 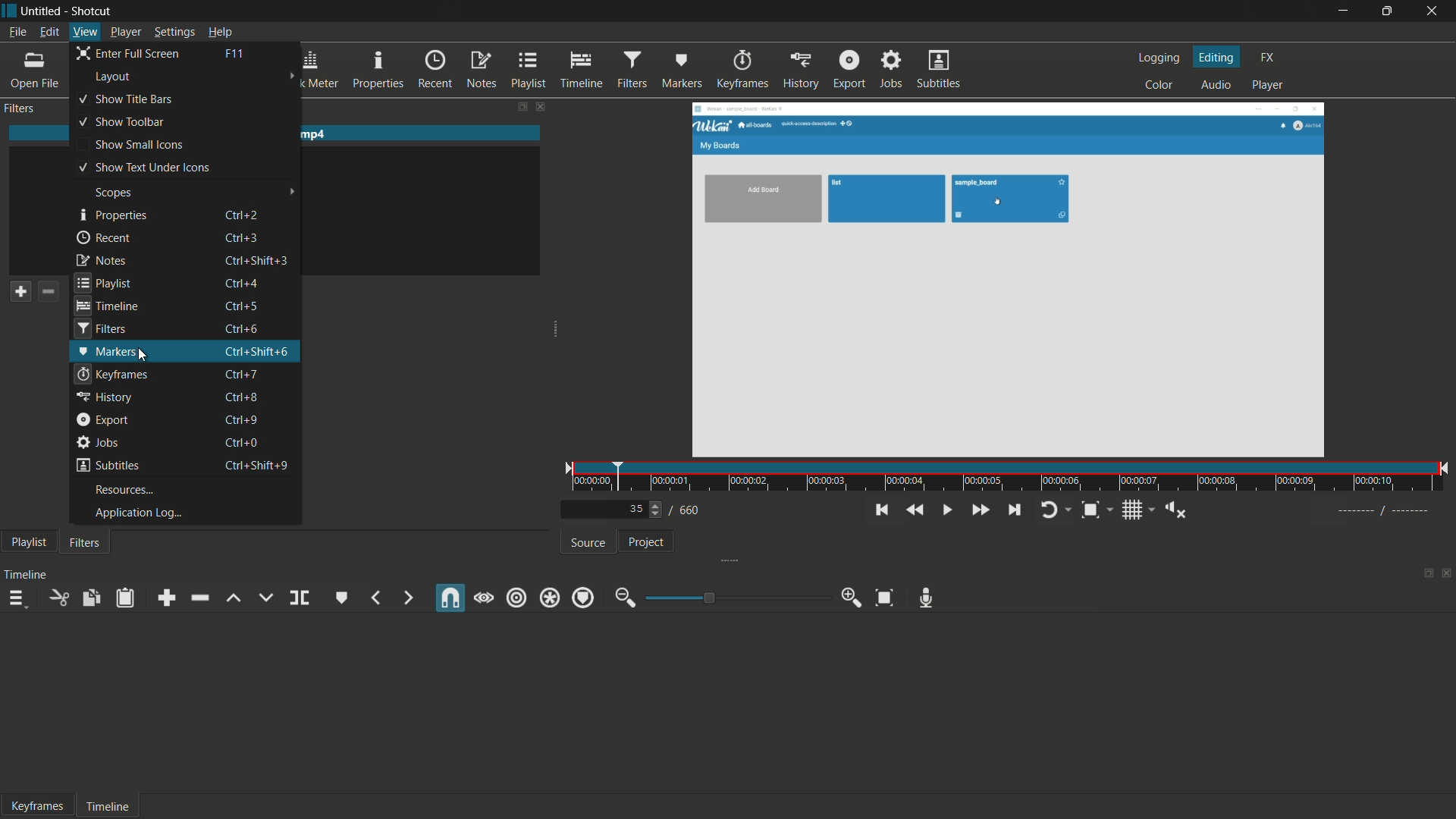 I want to click on scrub while dragging, so click(x=484, y=598).